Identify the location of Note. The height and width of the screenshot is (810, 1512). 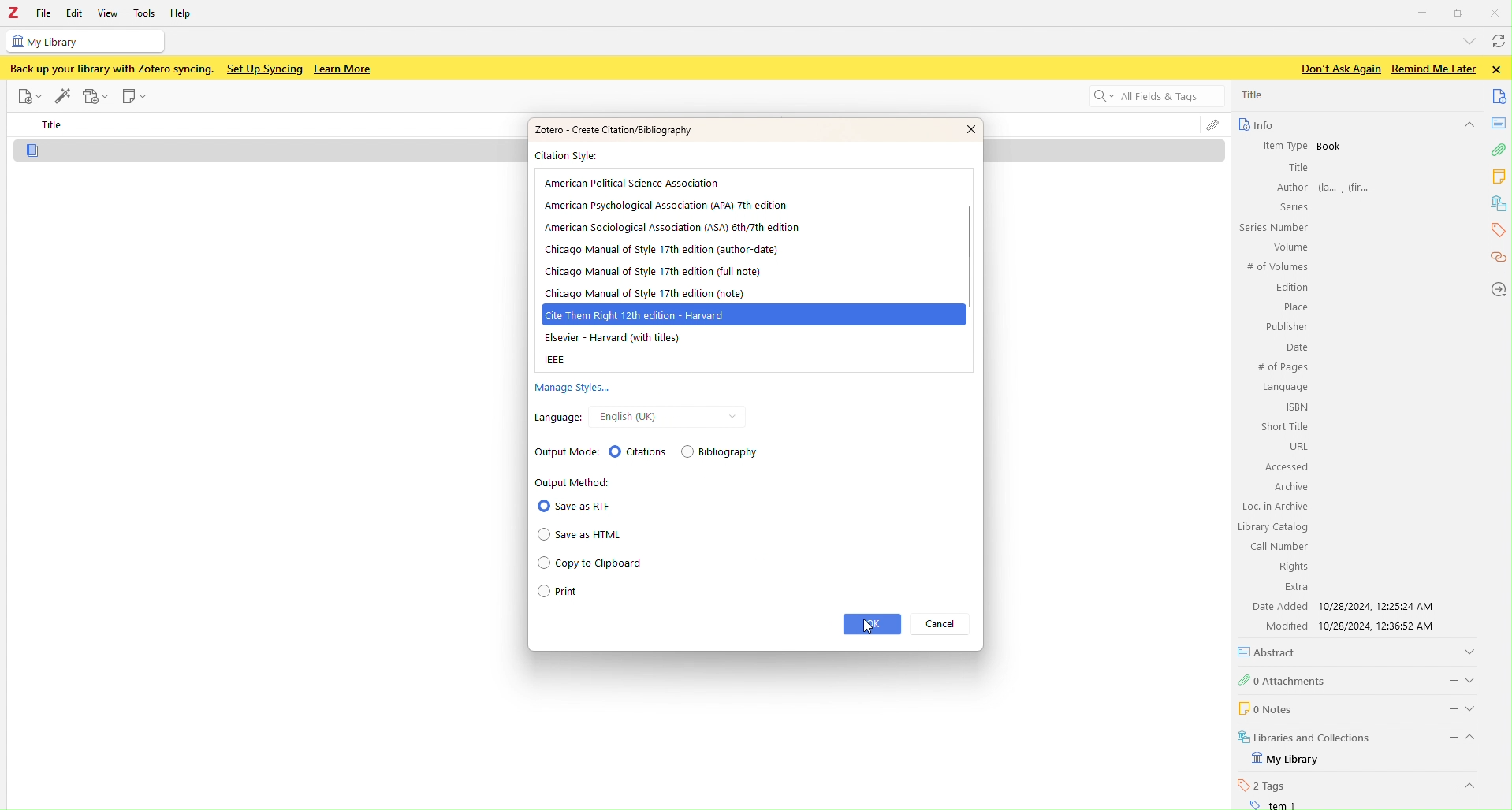
(136, 97).